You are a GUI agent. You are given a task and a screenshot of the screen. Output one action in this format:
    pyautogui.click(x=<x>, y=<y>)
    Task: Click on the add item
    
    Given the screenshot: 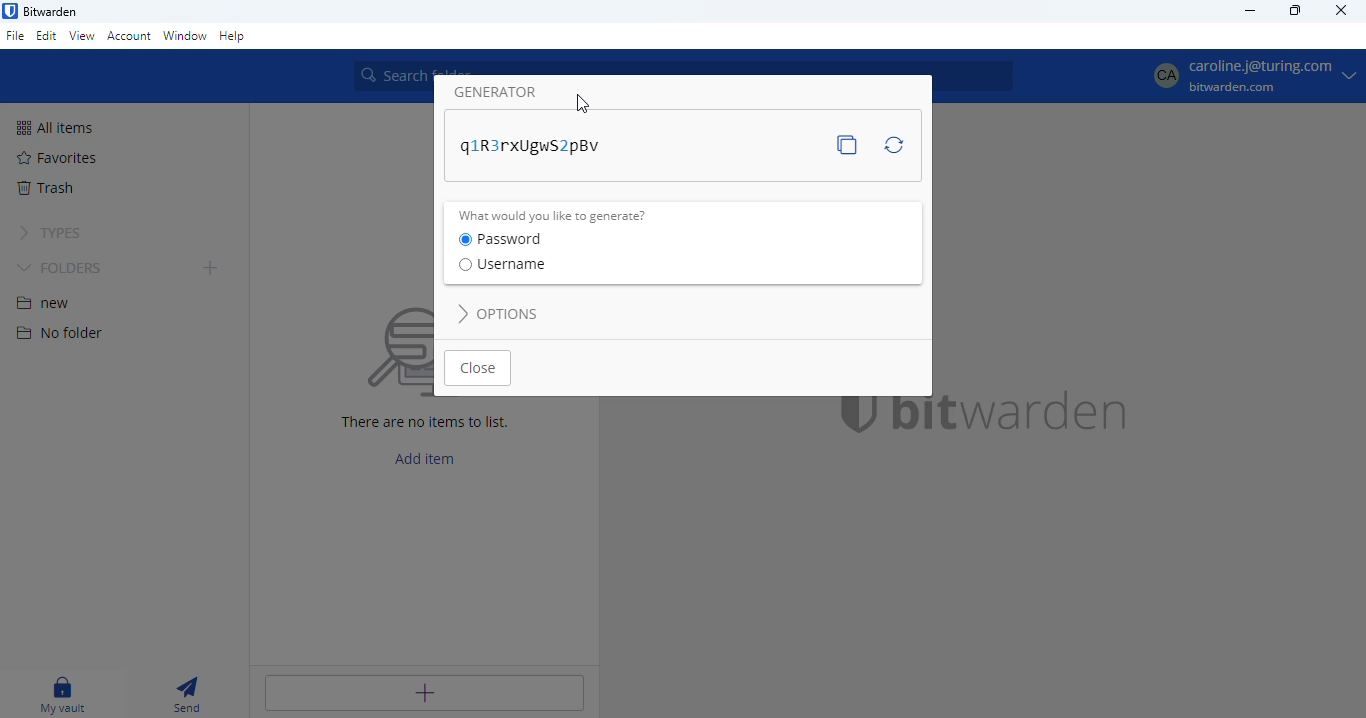 What is the action you would take?
    pyautogui.click(x=426, y=458)
    